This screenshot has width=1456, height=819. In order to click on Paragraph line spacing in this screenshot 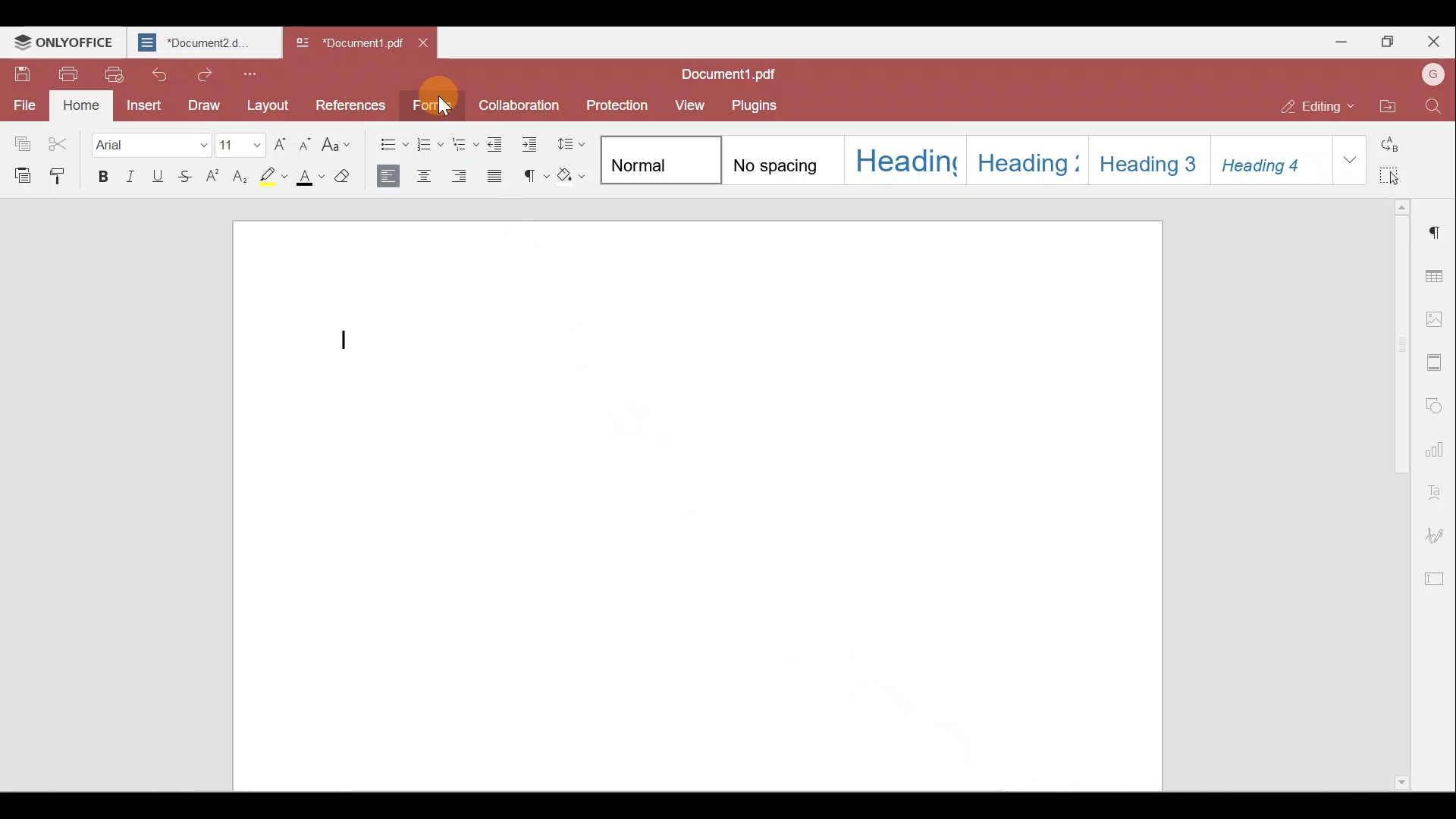, I will do `click(573, 143)`.